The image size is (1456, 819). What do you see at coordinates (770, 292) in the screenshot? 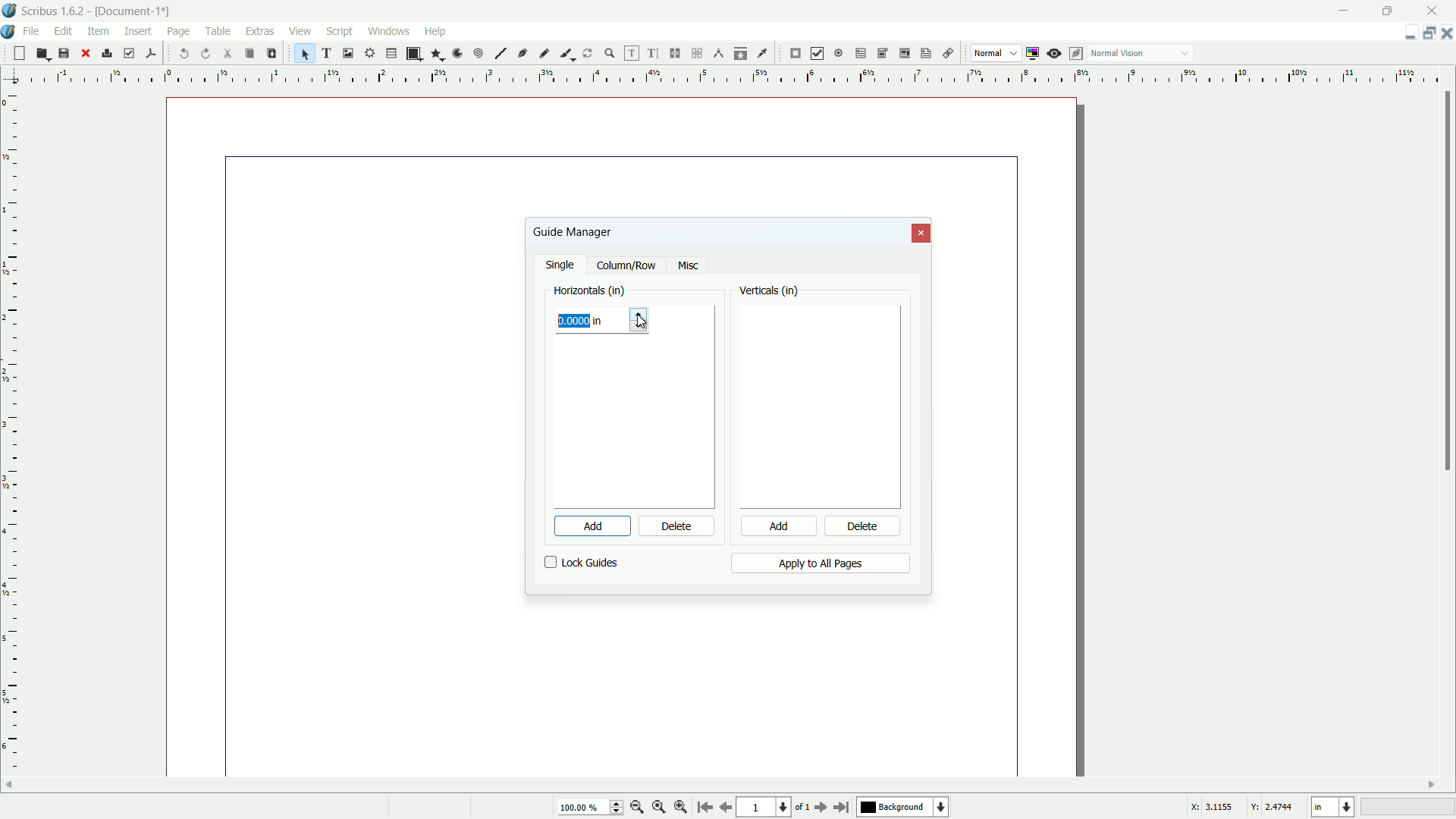
I see `verticals` at bounding box center [770, 292].